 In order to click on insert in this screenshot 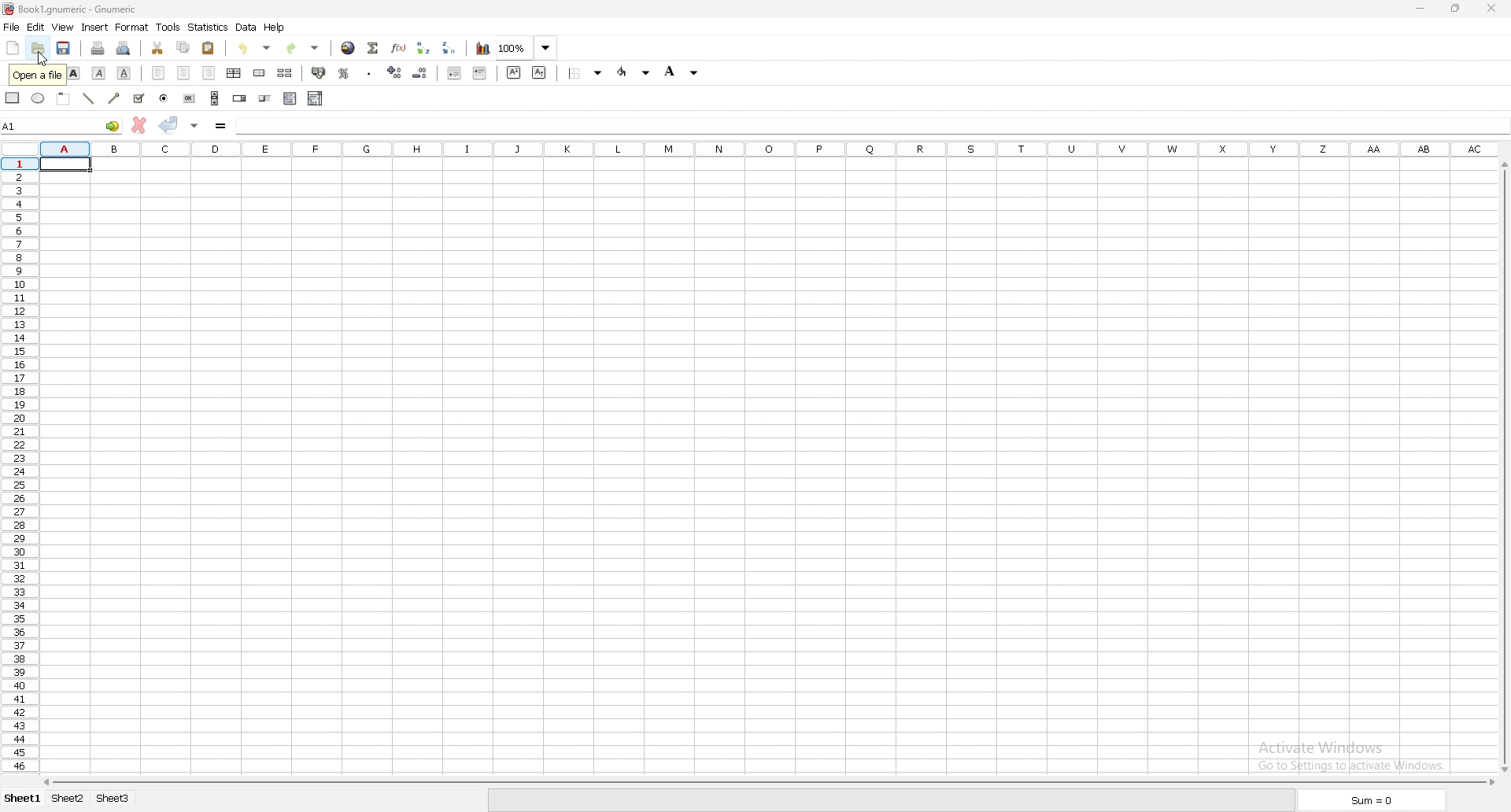, I will do `click(94, 28)`.